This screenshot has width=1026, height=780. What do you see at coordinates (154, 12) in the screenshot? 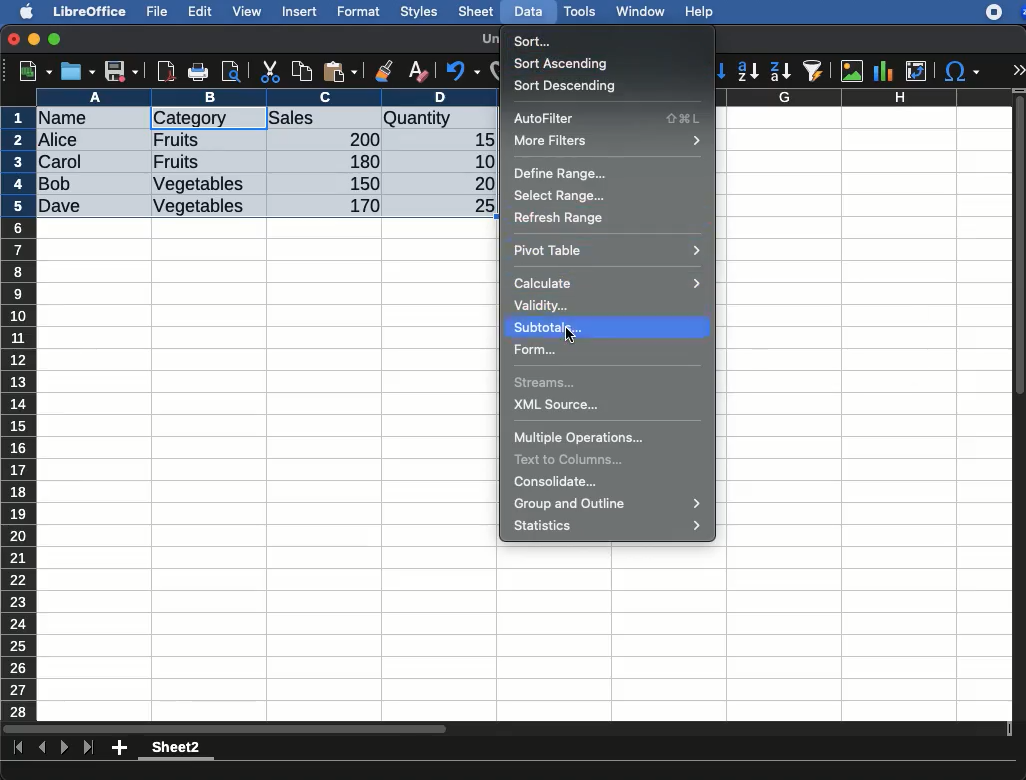
I see `file` at bounding box center [154, 12].